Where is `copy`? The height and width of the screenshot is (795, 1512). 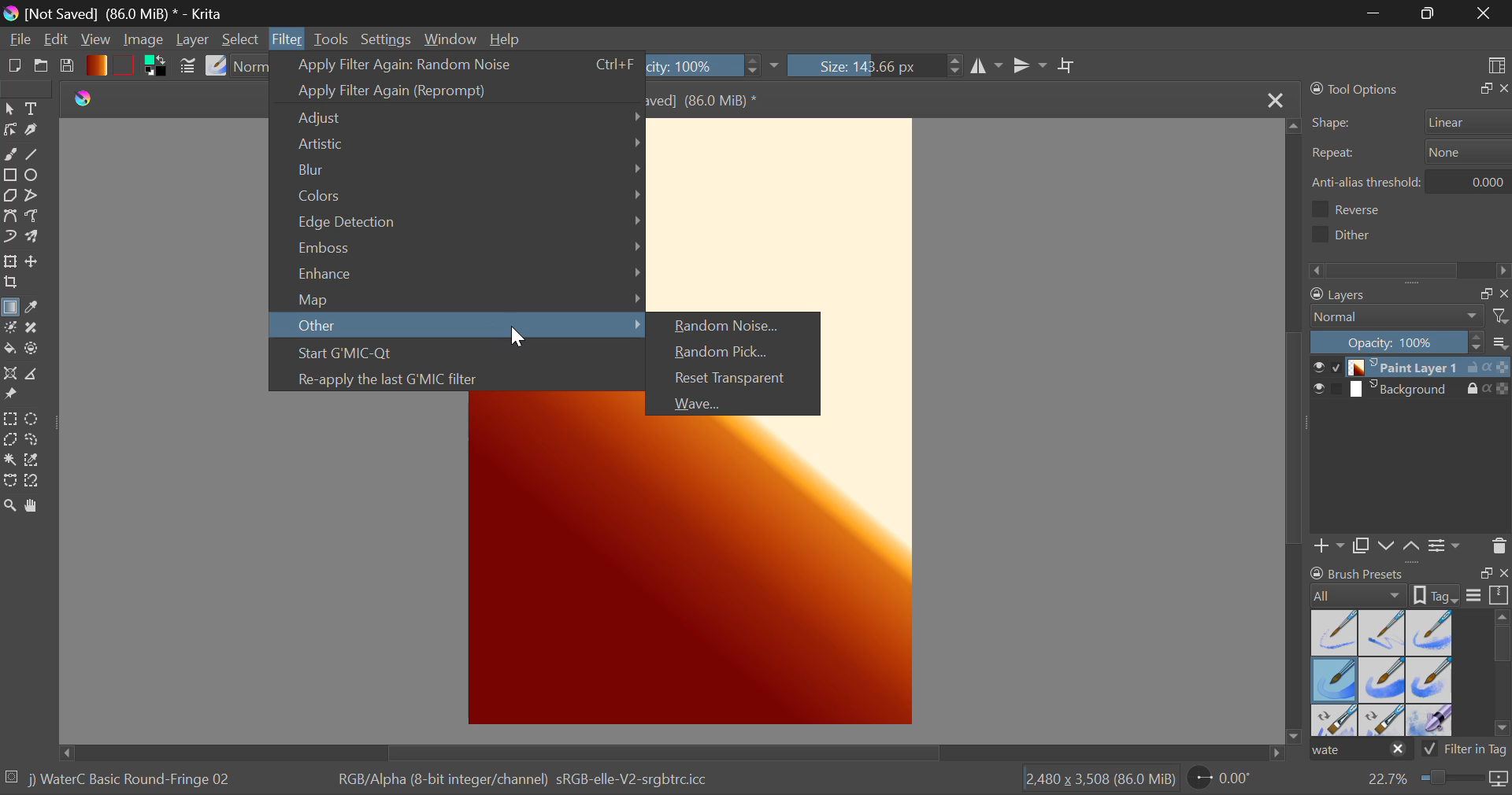
copy is located at coordinates (1360, 547).